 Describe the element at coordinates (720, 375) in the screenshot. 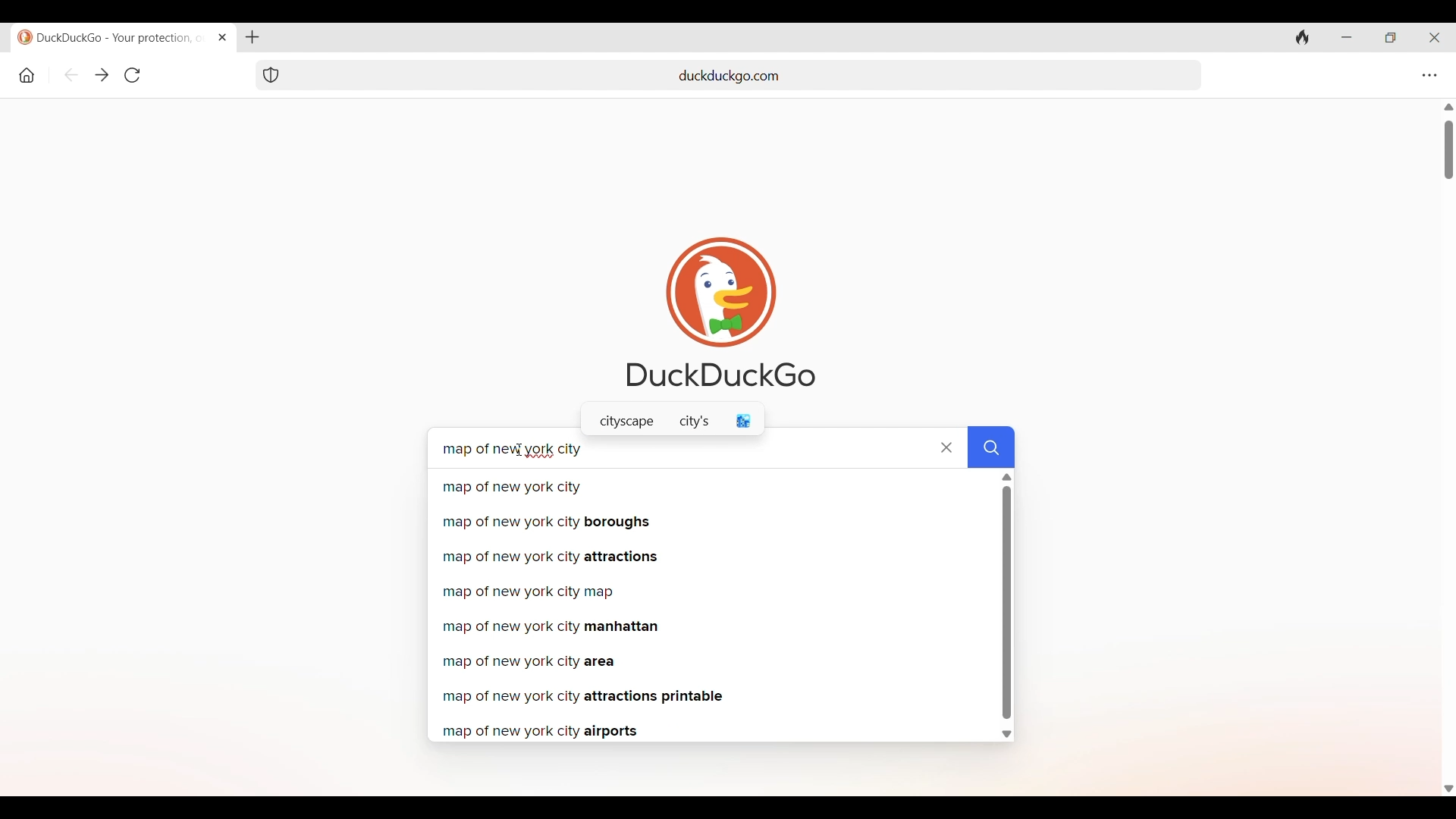

I see `DuckDuckGo` at that location.